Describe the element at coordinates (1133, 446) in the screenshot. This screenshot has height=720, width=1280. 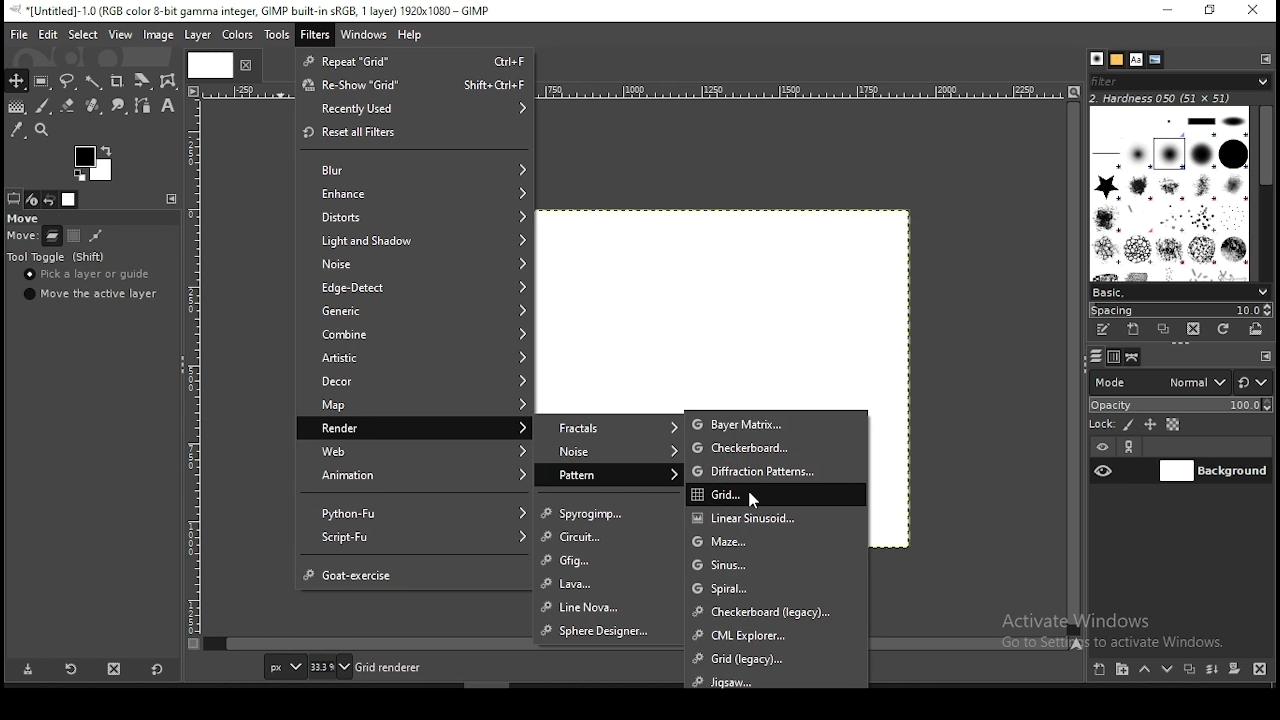
I see `link` at that location.